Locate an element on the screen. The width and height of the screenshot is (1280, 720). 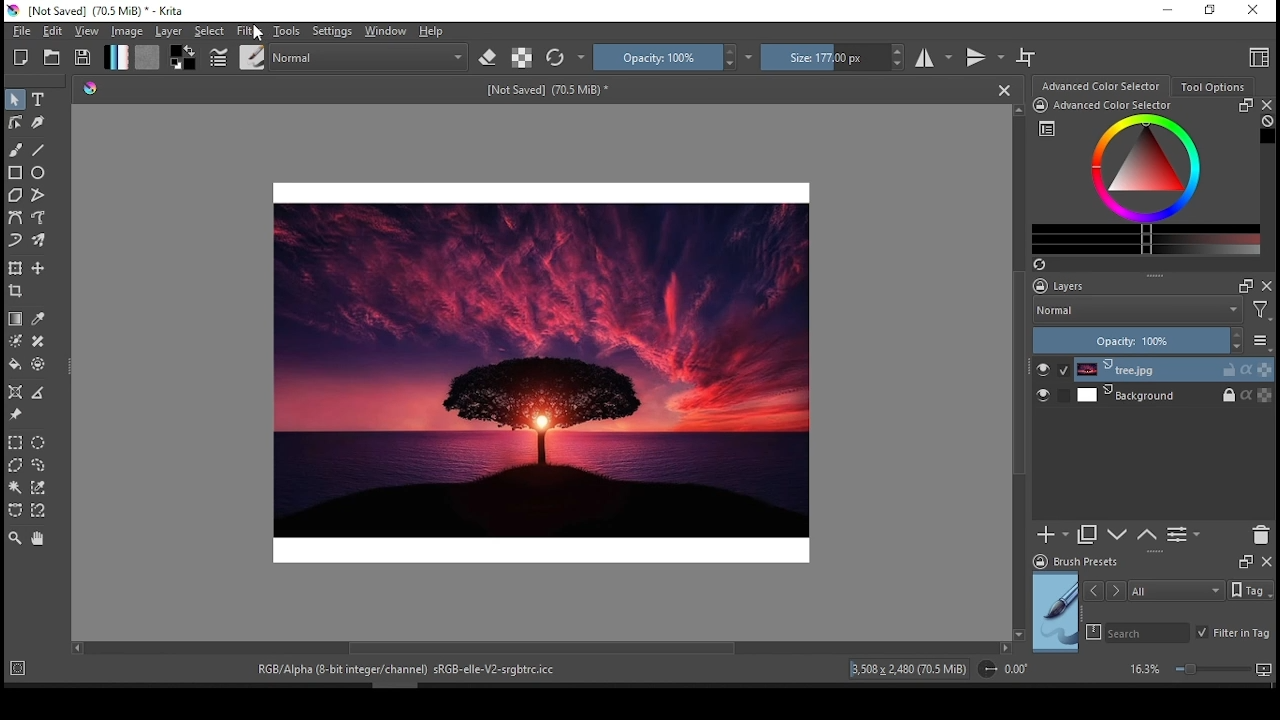
horizontal mirror mode is located at coordinates (933, 56).